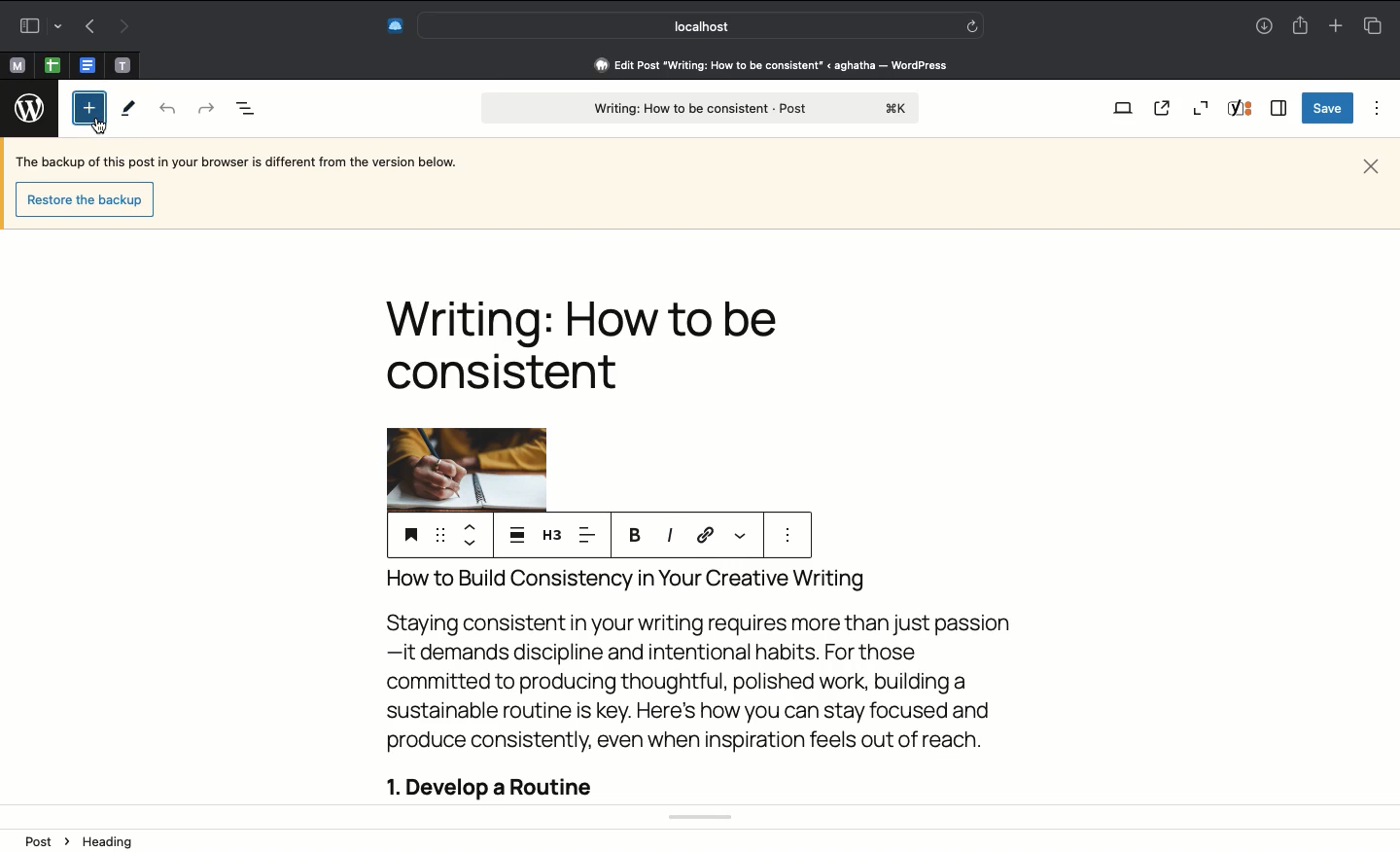  Describe the element at coordinates (469, 468) in the screenshot. I see `Image` at that location.